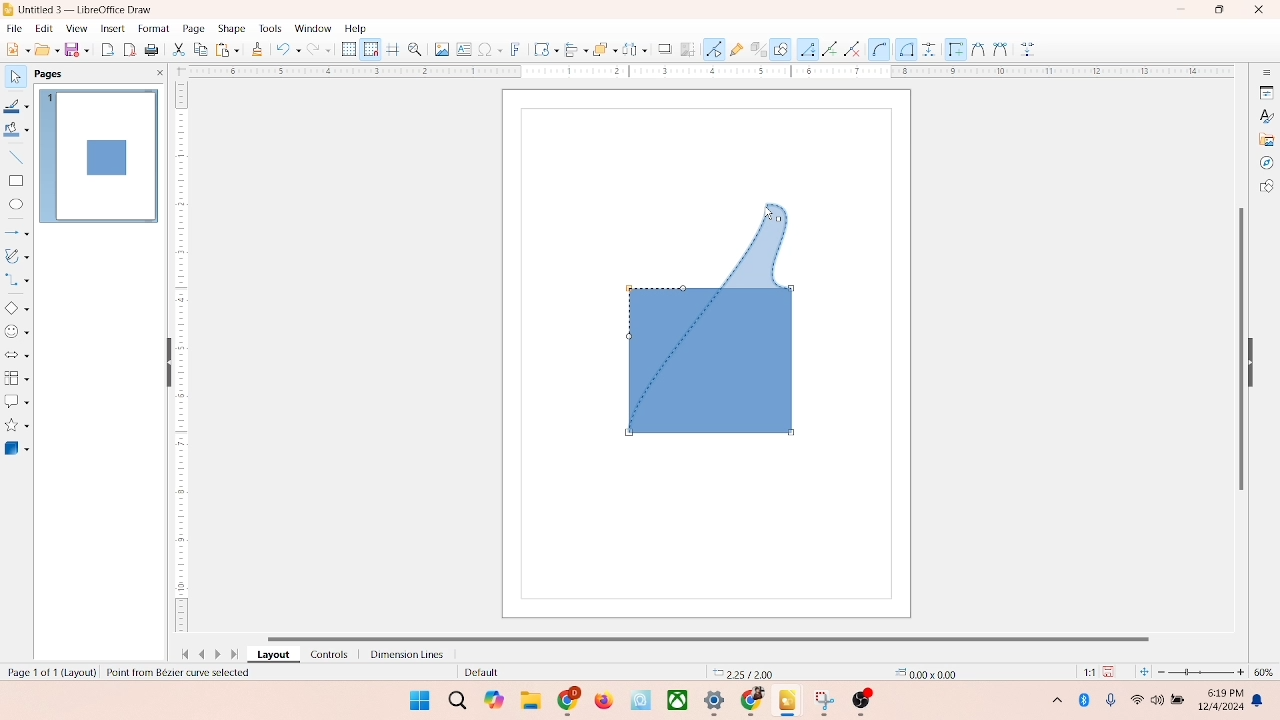 The image size is (1280, 720). I want to click on styles, so click(1265, 115).